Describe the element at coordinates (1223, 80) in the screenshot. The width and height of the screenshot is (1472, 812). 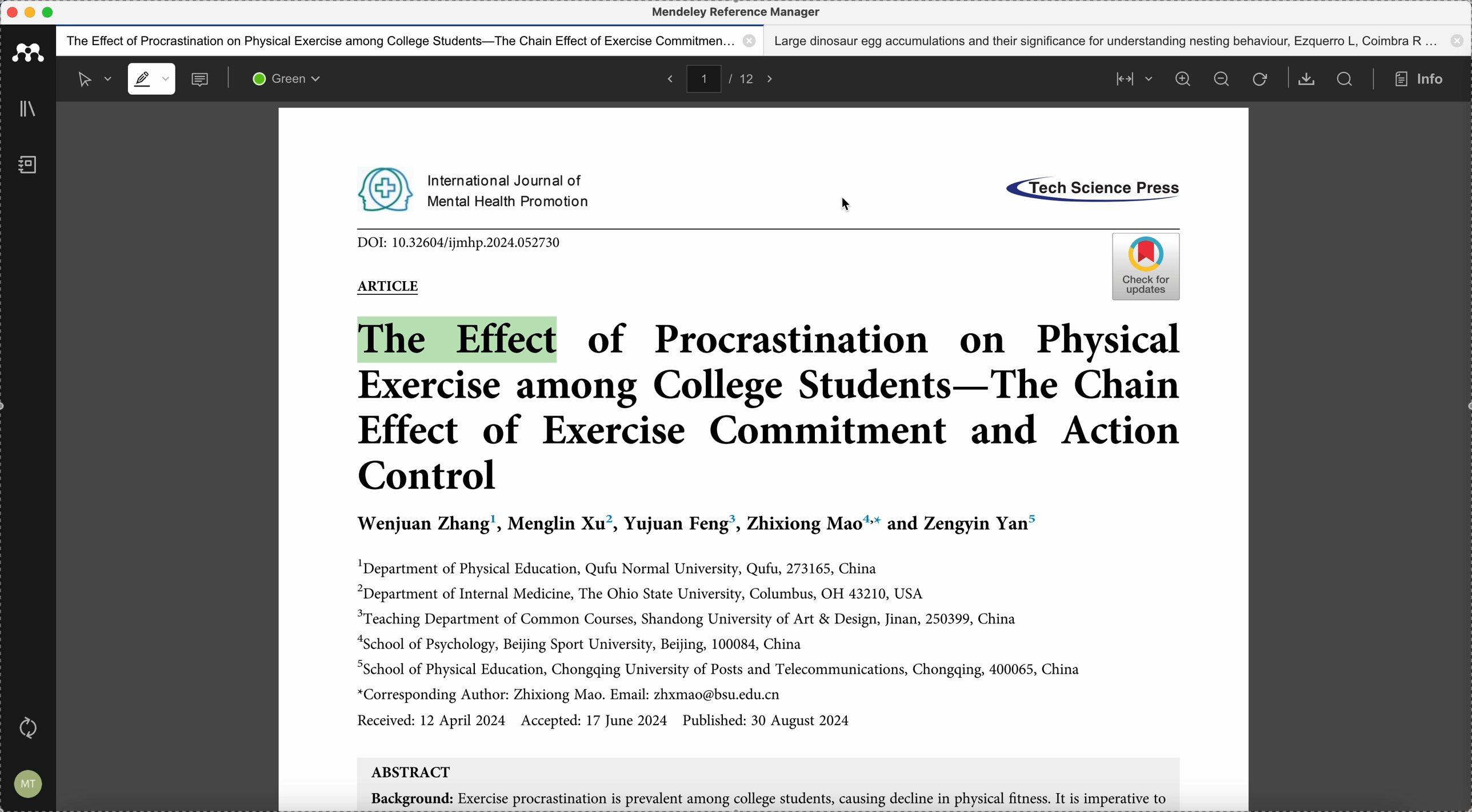
I see `zoom out` at that location.